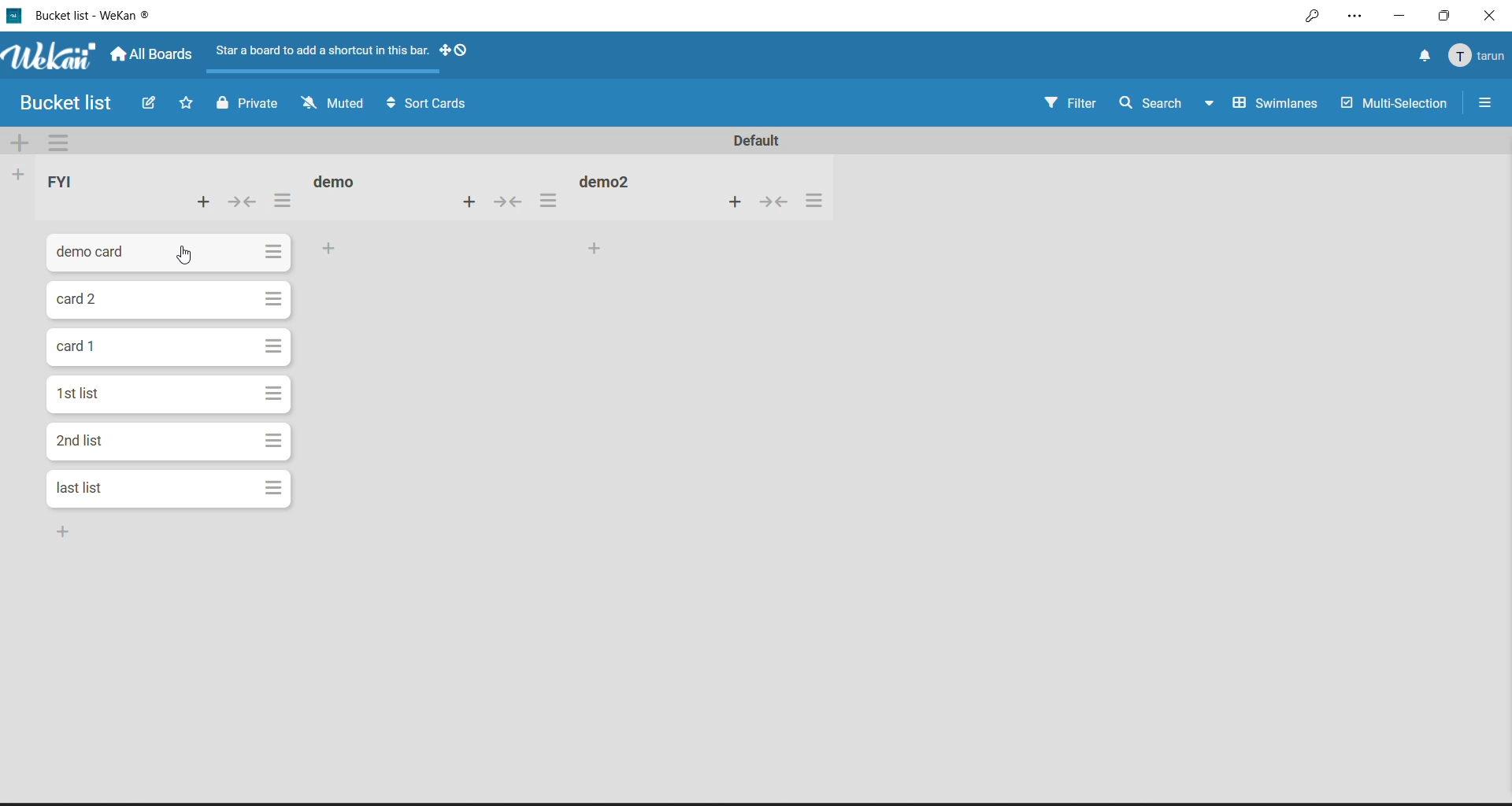 This screenshot has height=806, width=1512. I want to click on minimize, so click(1395, 16).